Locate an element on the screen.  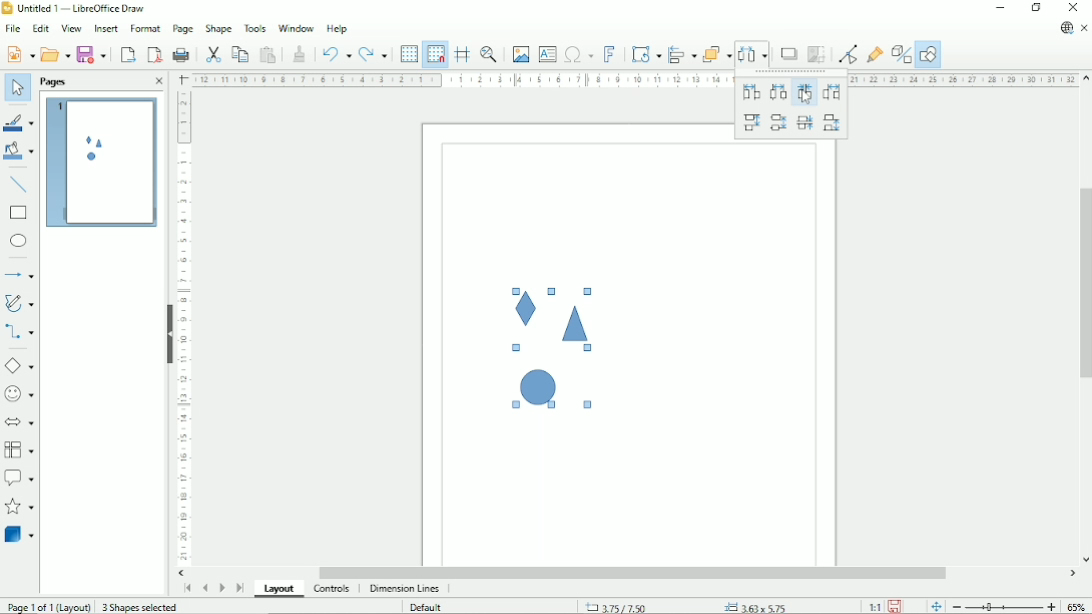
New is located at coordinates (19, 54).